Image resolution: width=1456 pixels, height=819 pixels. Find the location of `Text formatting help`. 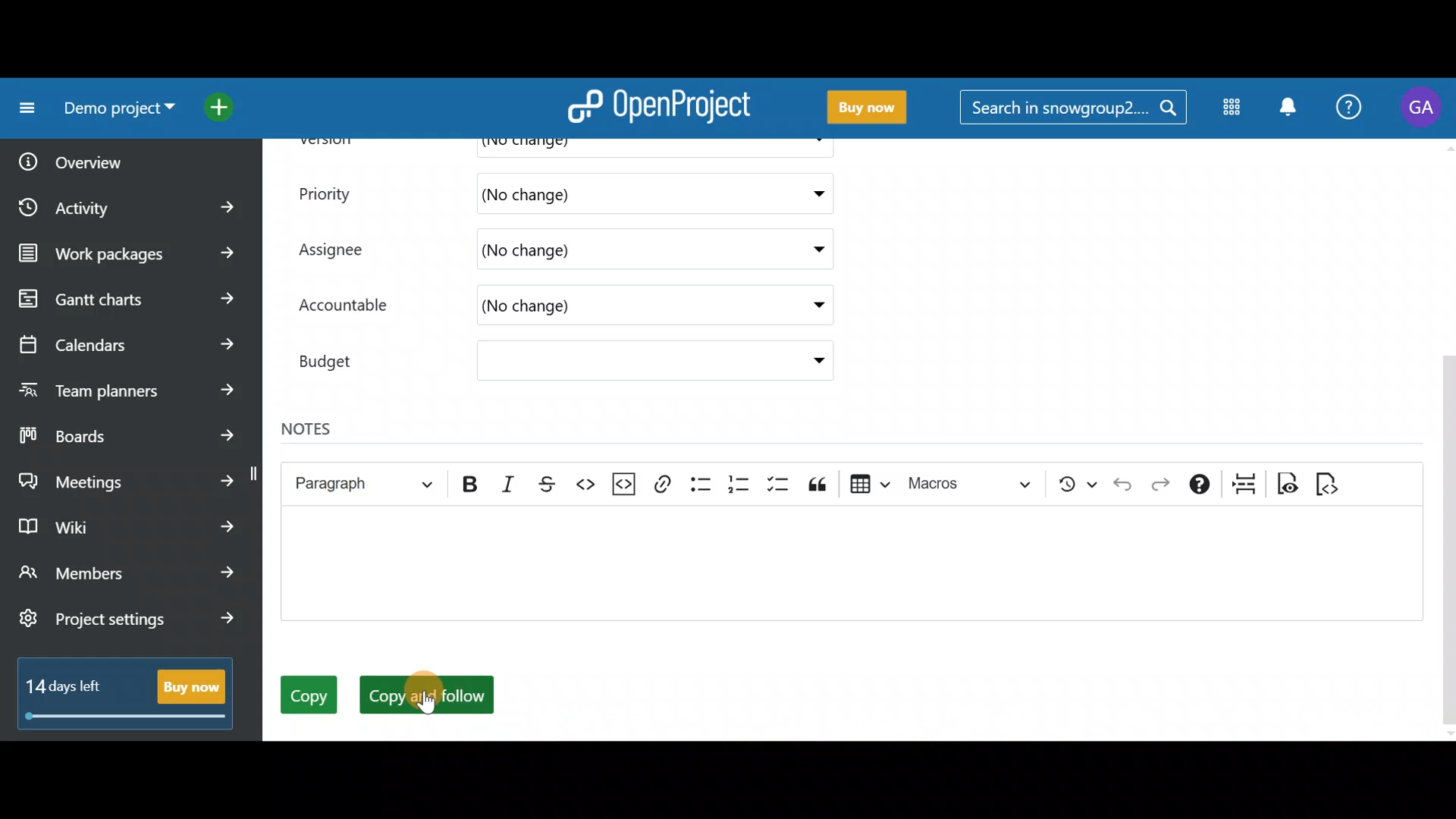

Text formatting help is located at coordinates (1200, 488).